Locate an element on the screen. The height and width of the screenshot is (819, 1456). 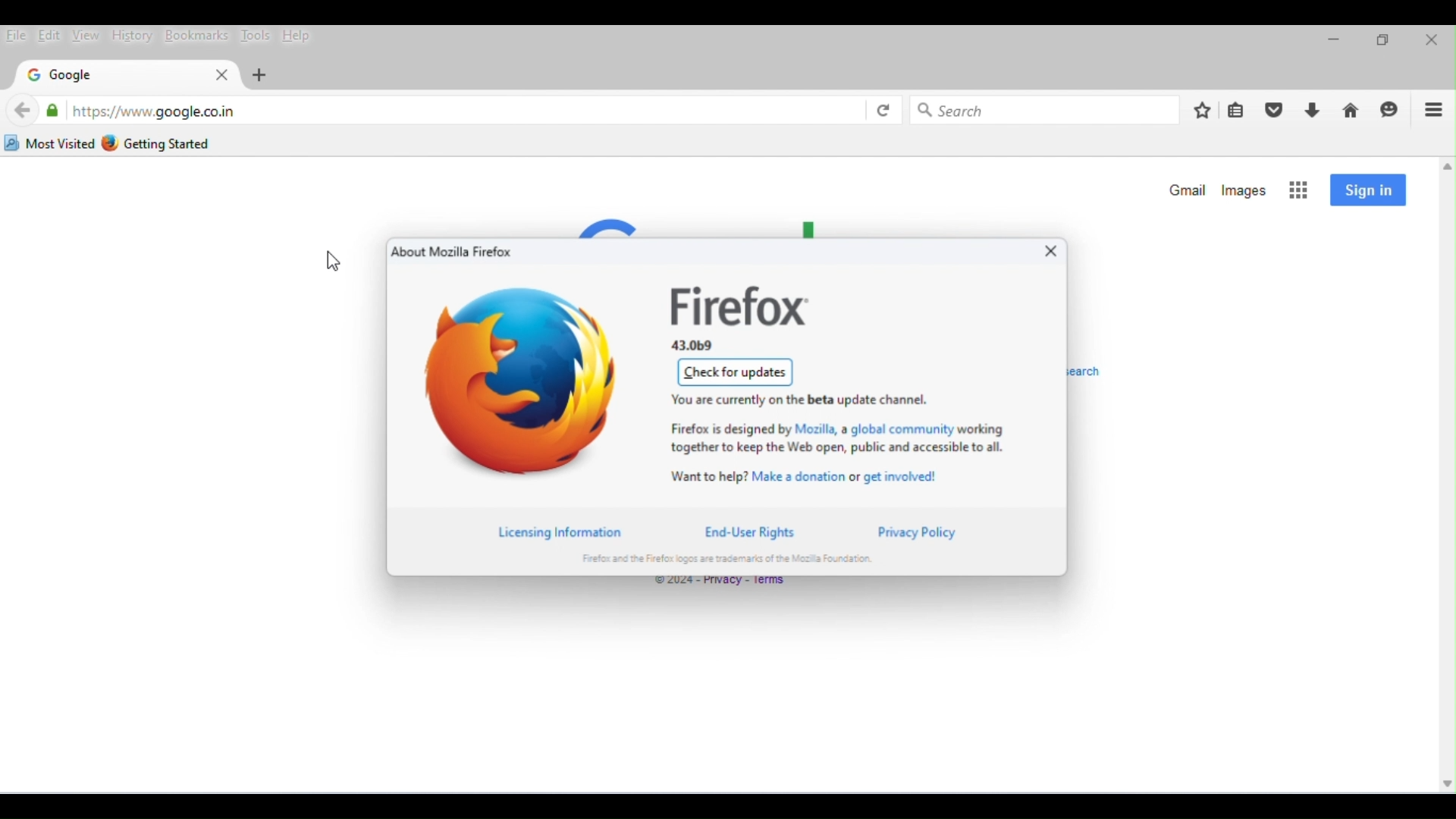
licensing information is located at coordinates (570, 532).